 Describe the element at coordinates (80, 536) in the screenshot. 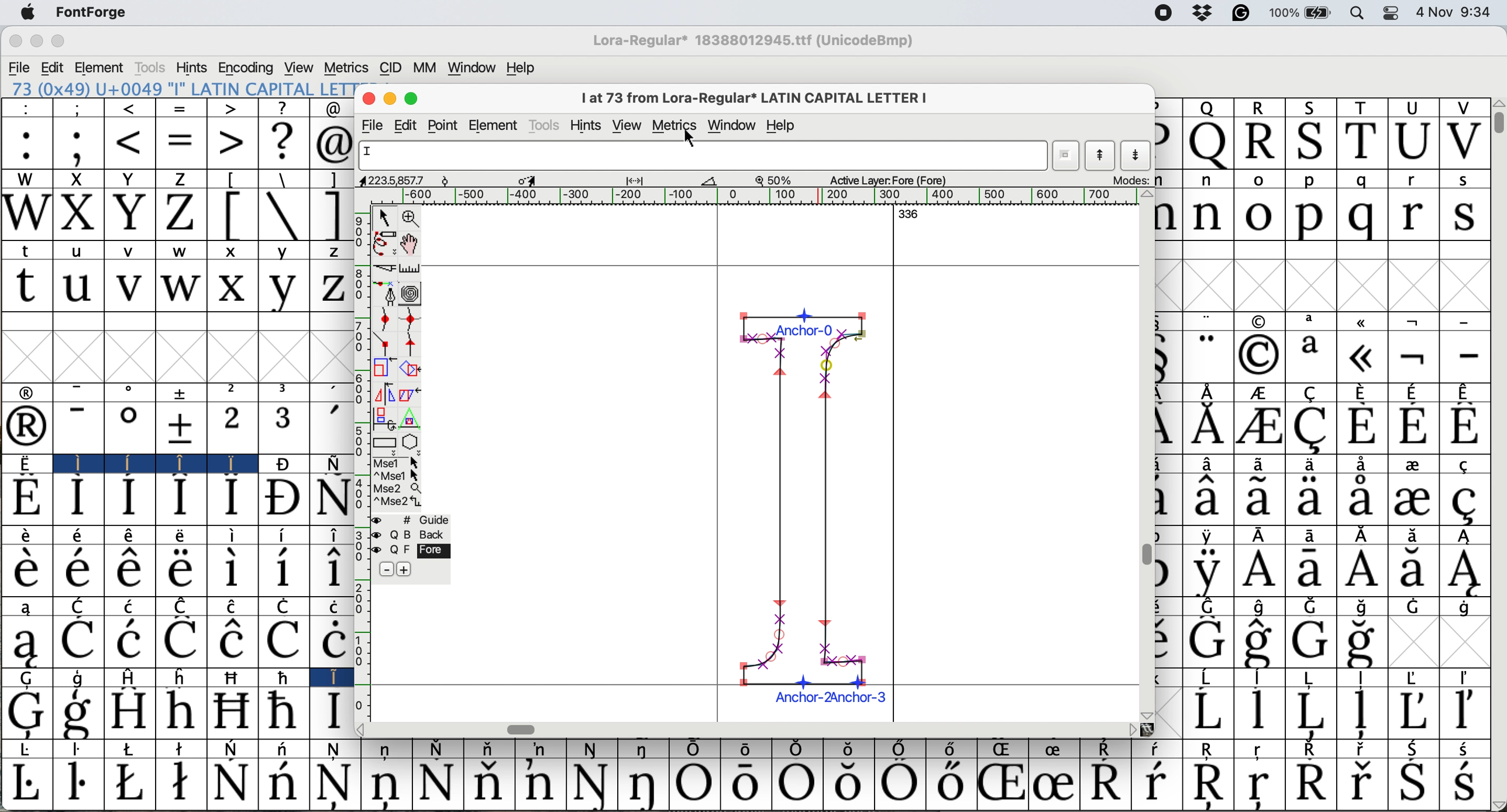

I see `Symbol` at that location.